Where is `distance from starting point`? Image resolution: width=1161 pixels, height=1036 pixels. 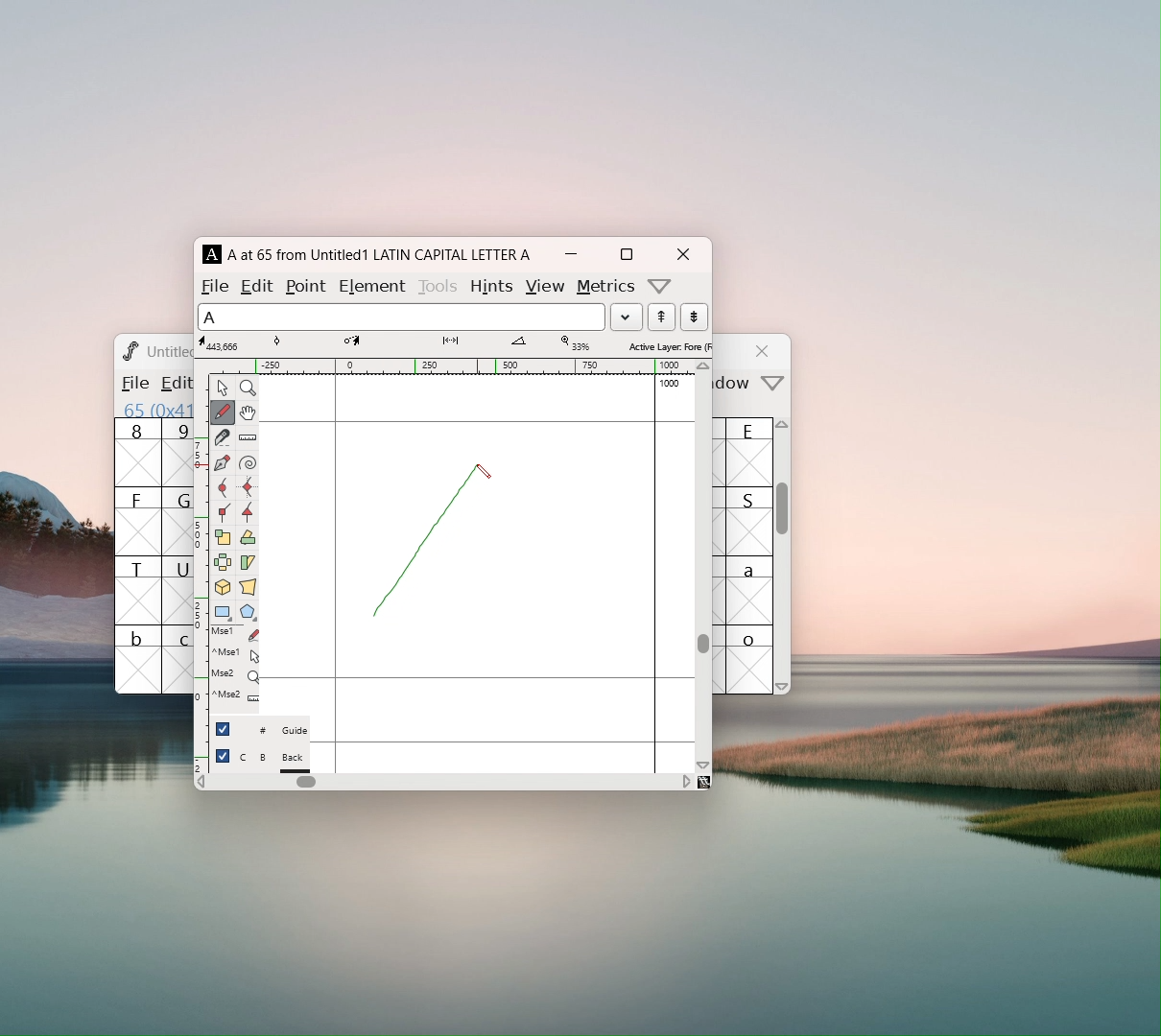 distance from starting point is located at coordinates (451, 344).